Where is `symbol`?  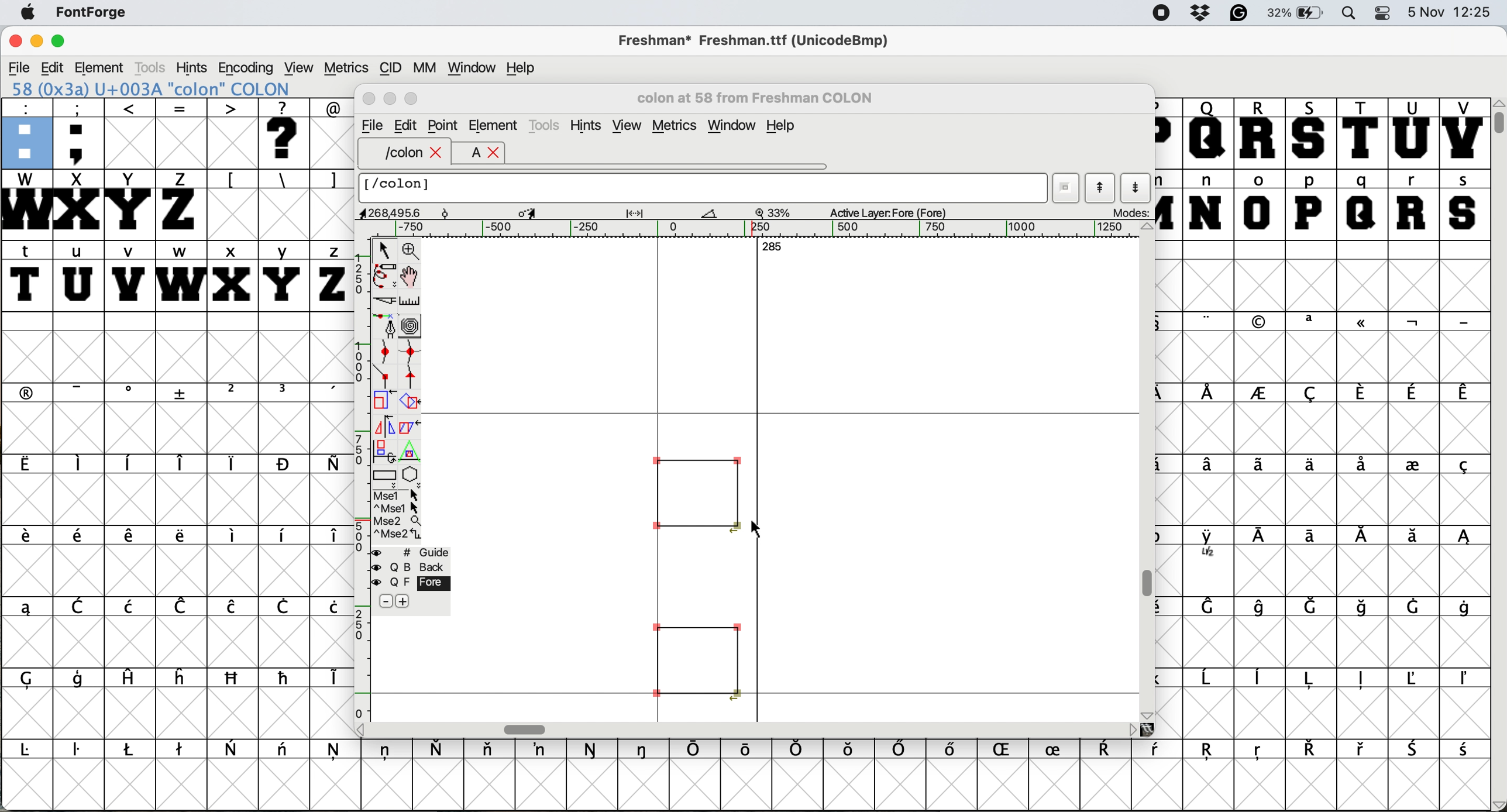
symbol is located at coordinates (1463, 467).